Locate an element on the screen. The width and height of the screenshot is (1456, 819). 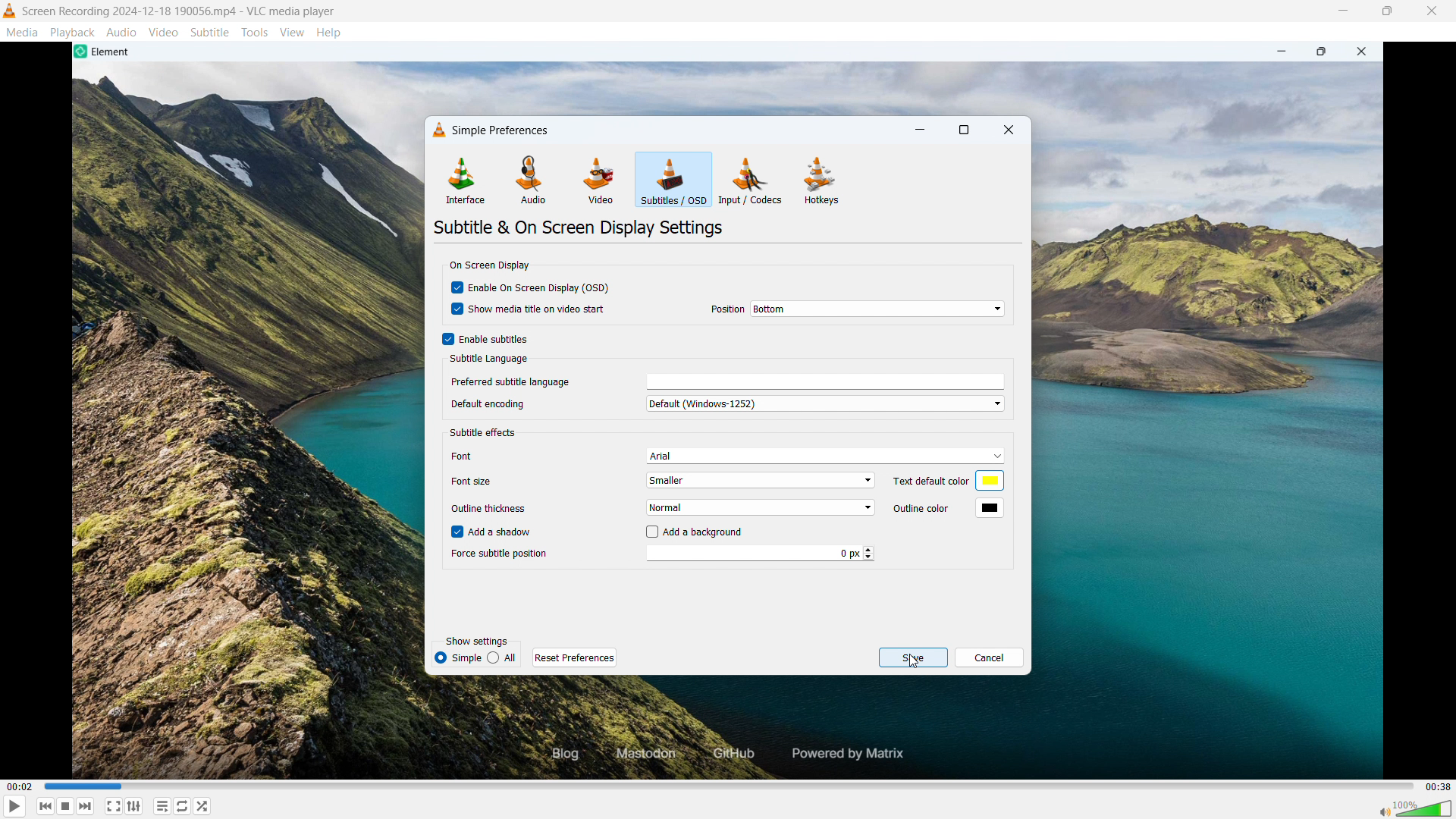
Outline color is located at coordinates (930, 509).